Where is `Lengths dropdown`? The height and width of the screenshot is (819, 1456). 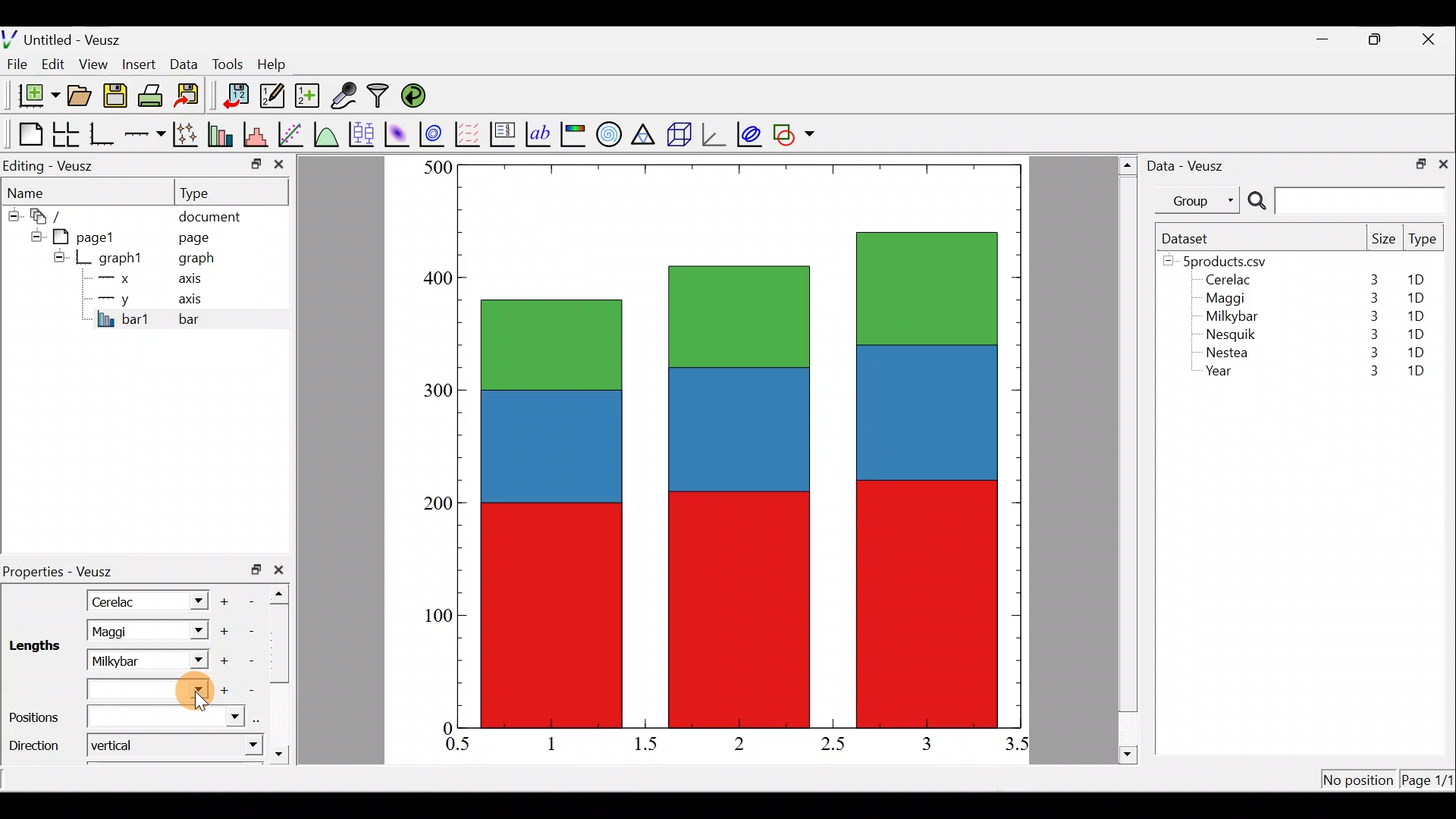 Lengths dropdown is located at coordinates (145, 689).